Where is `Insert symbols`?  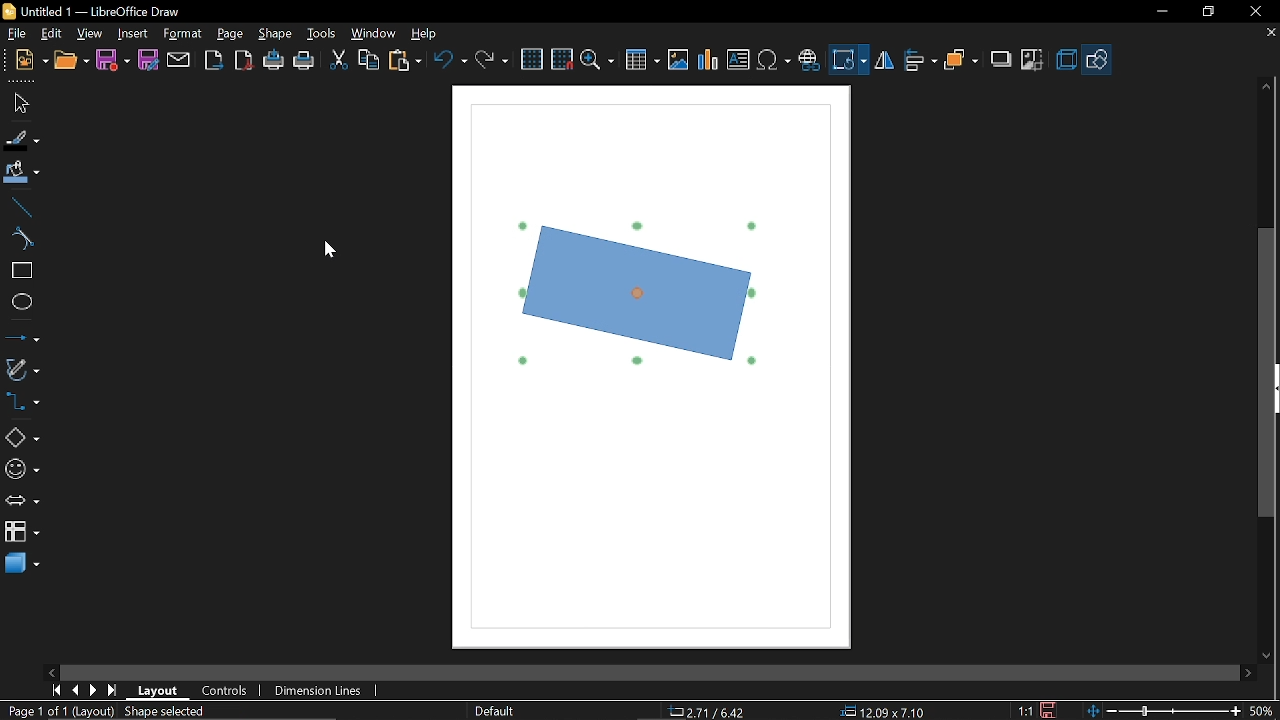
Insert symbols is located at coordinates (775, 61).